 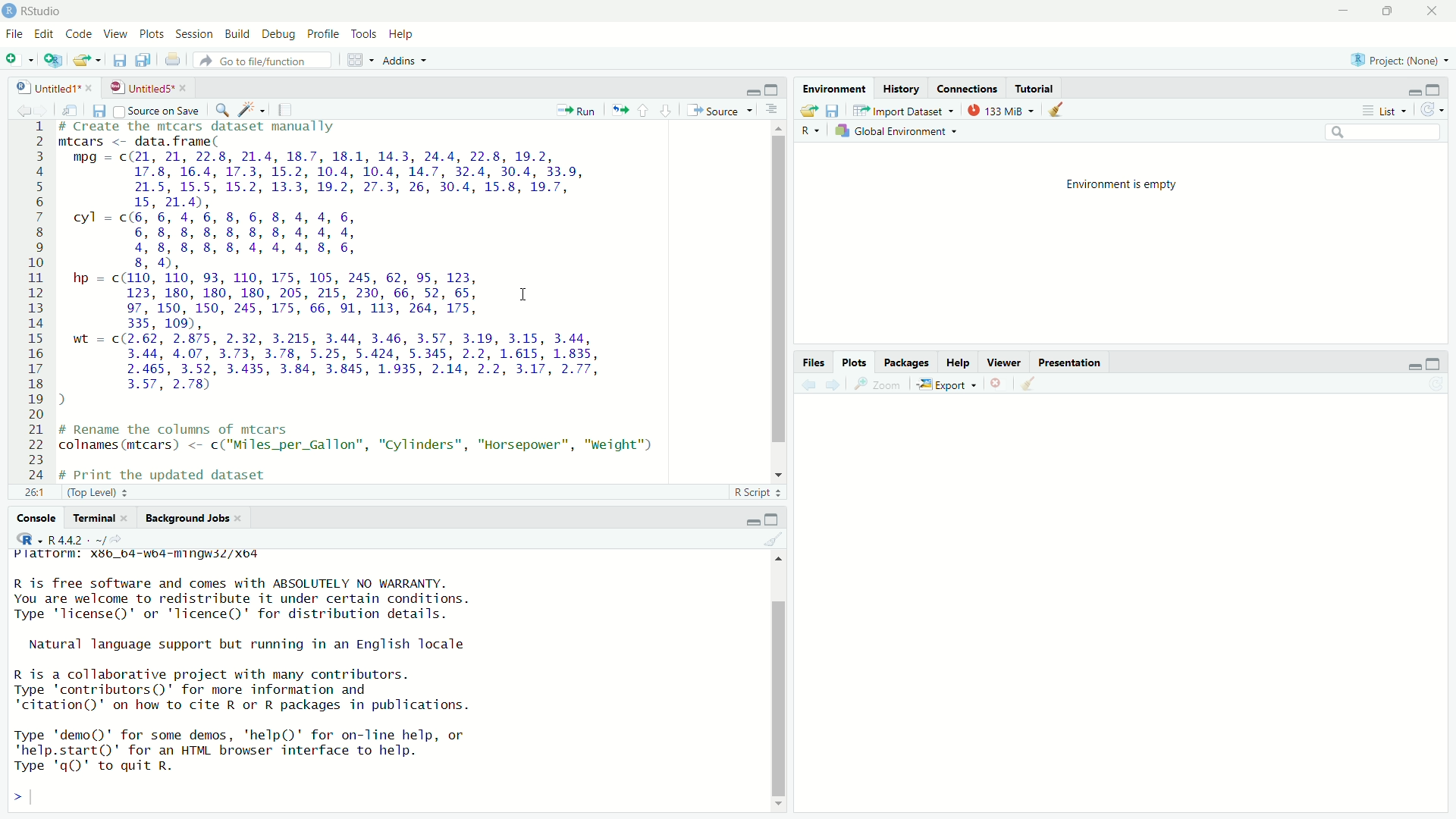 I want to click on add  script, so click(x=52, y=65).